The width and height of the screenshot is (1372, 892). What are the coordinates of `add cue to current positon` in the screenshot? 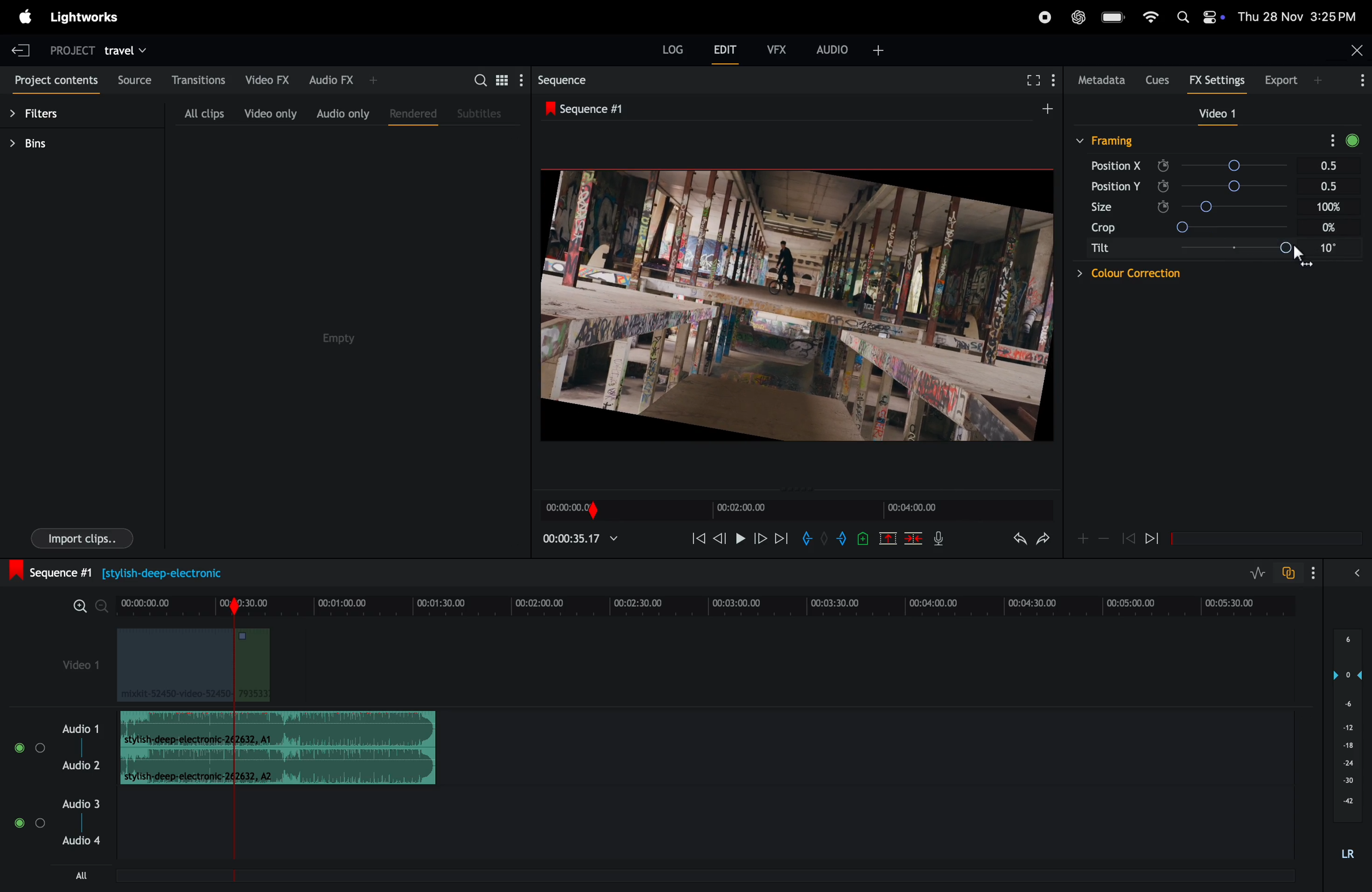 It's located at (864, 538).